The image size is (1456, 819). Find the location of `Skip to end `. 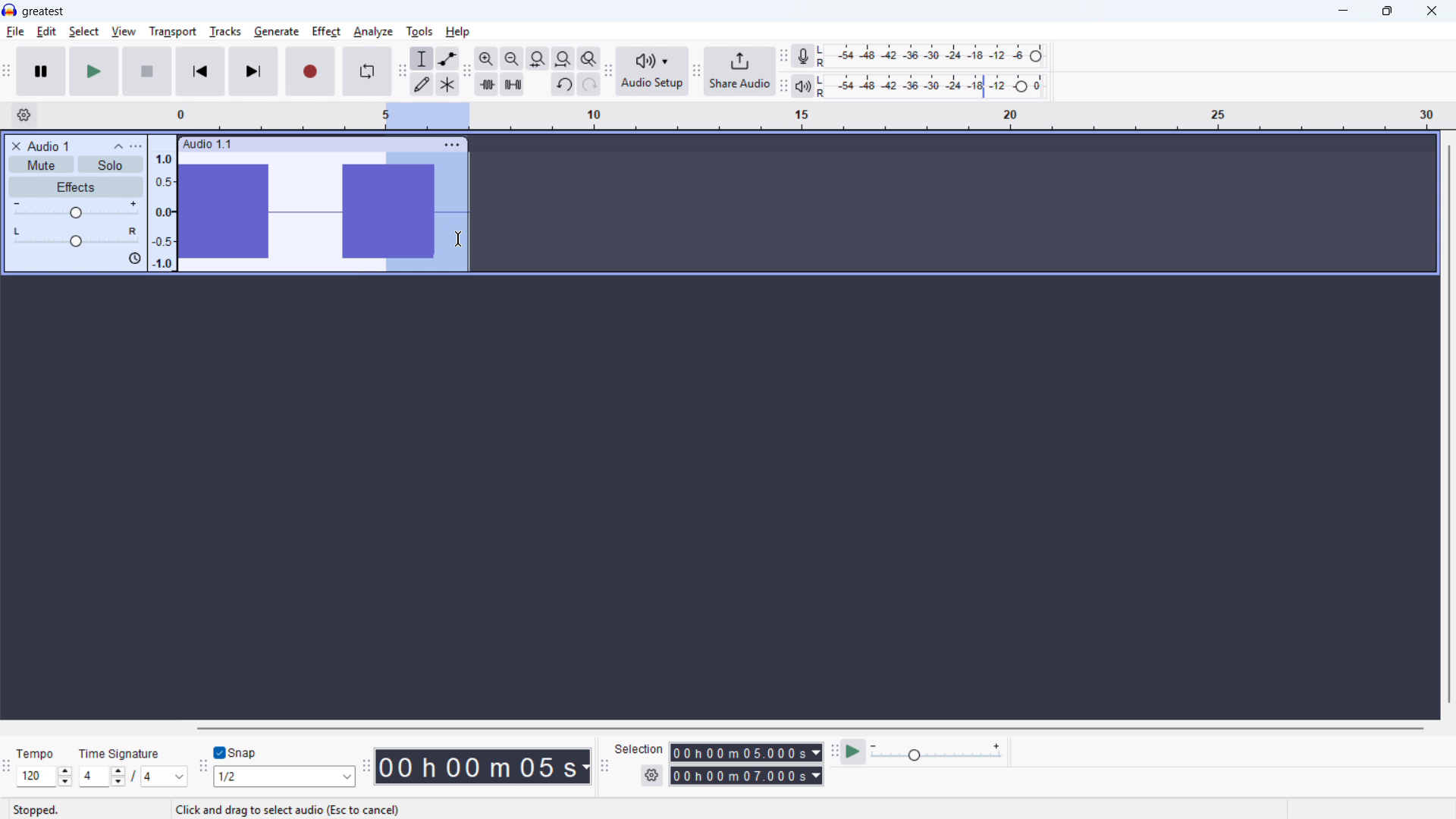

Skip to end  is located at coordinates (255, 72).